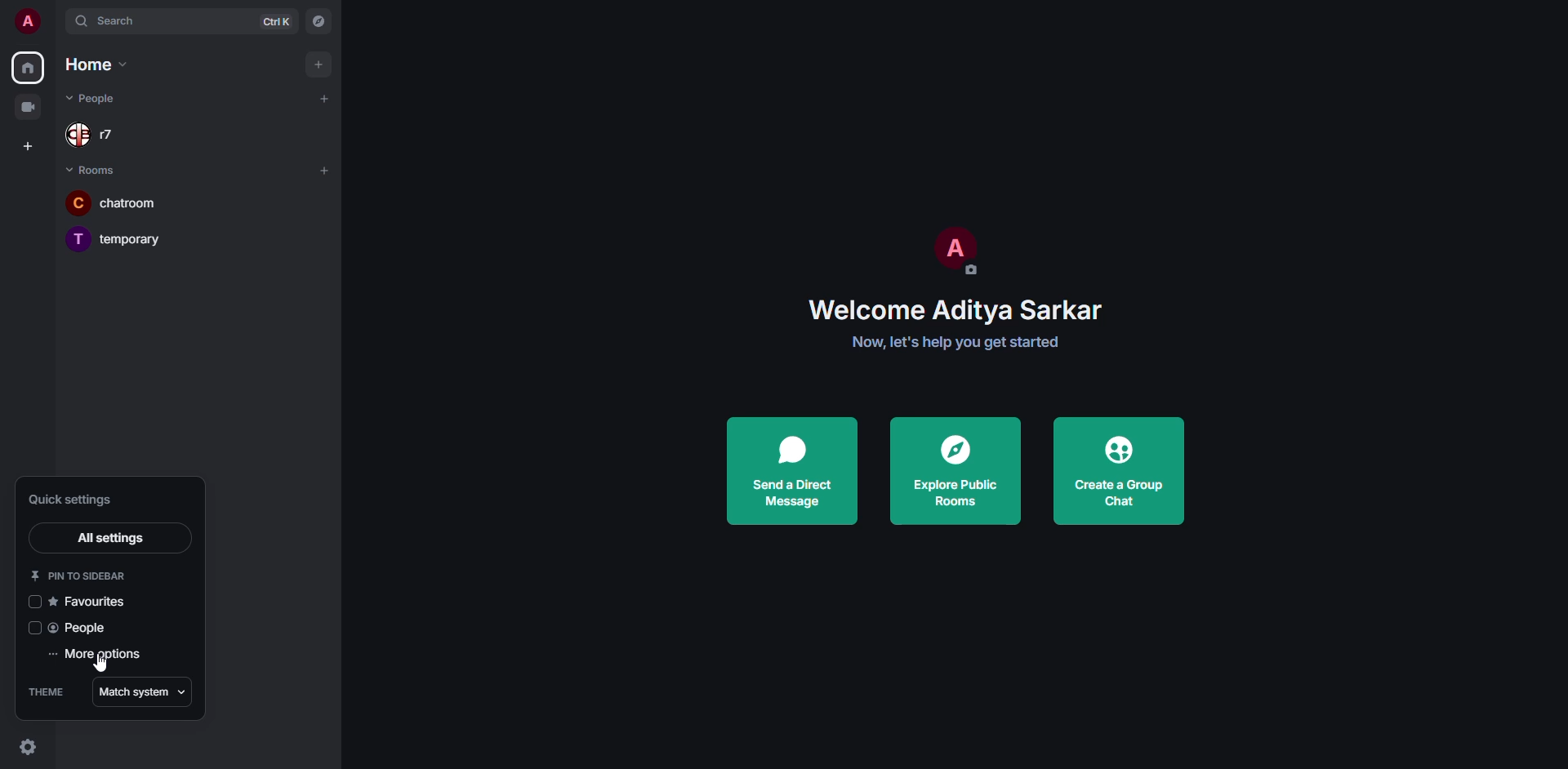 This screenshot has width=1568, height=769. I want to click on more options, so click(96, 654).